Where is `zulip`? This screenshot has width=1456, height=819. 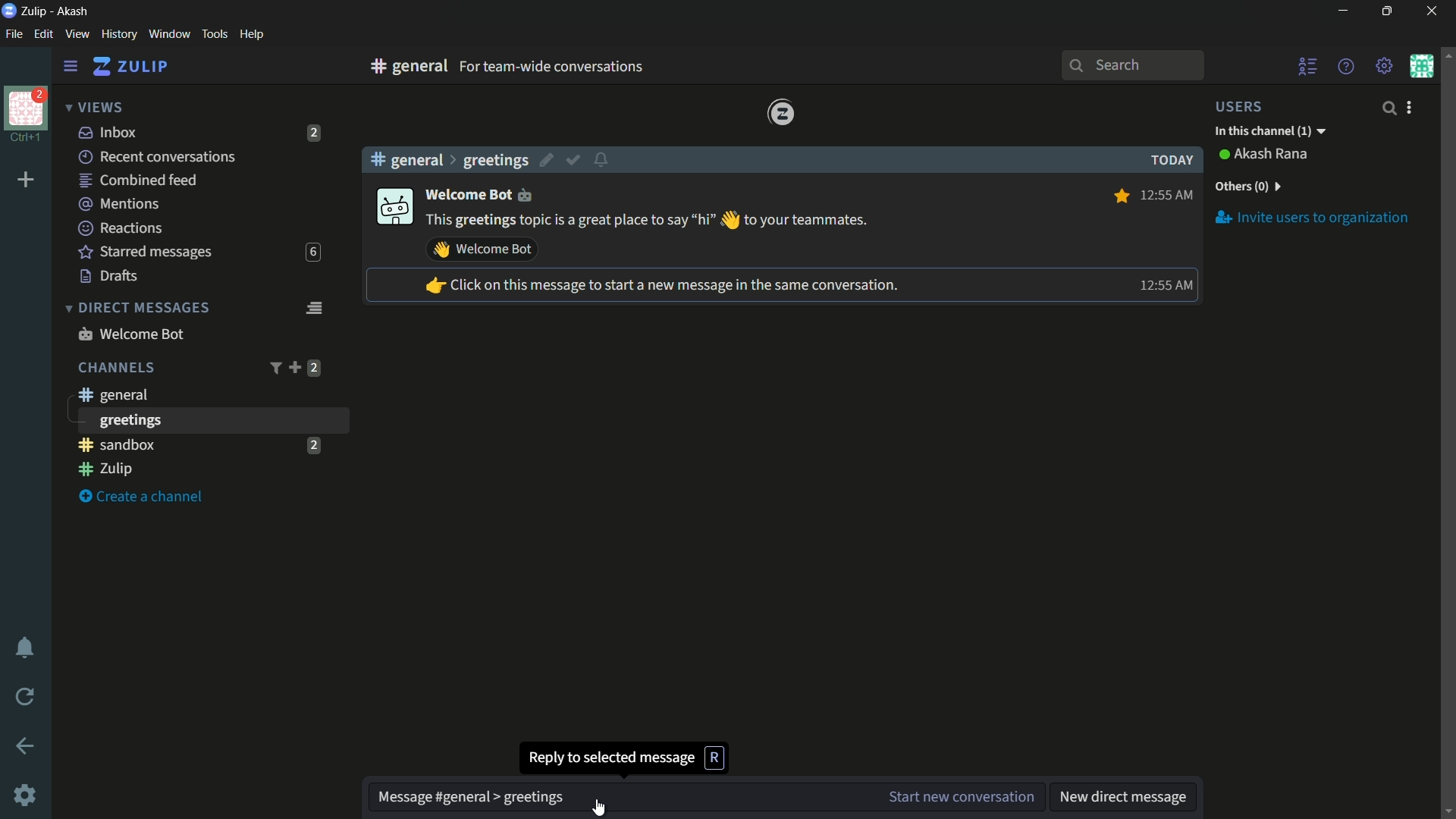 zulip is located at coordinates (130, 67).